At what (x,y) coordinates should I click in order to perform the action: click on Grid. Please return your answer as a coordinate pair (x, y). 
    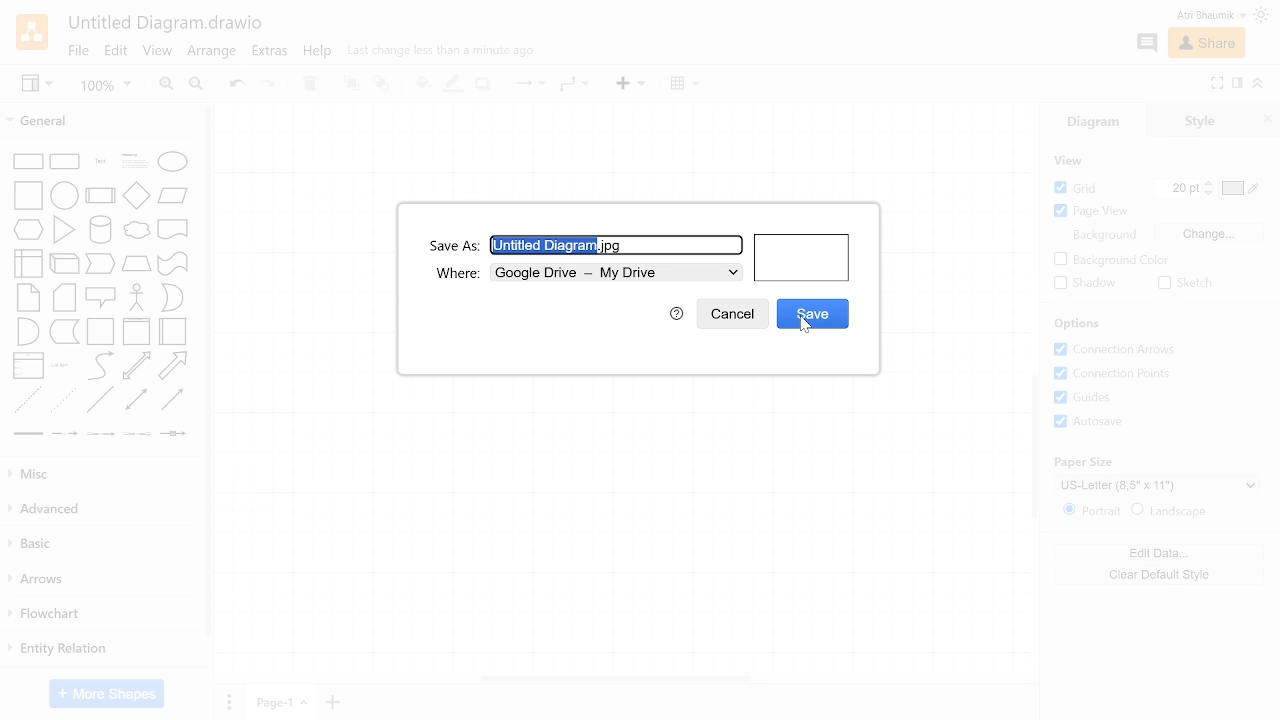
    Looking at the image, I should click on (1084, 187).